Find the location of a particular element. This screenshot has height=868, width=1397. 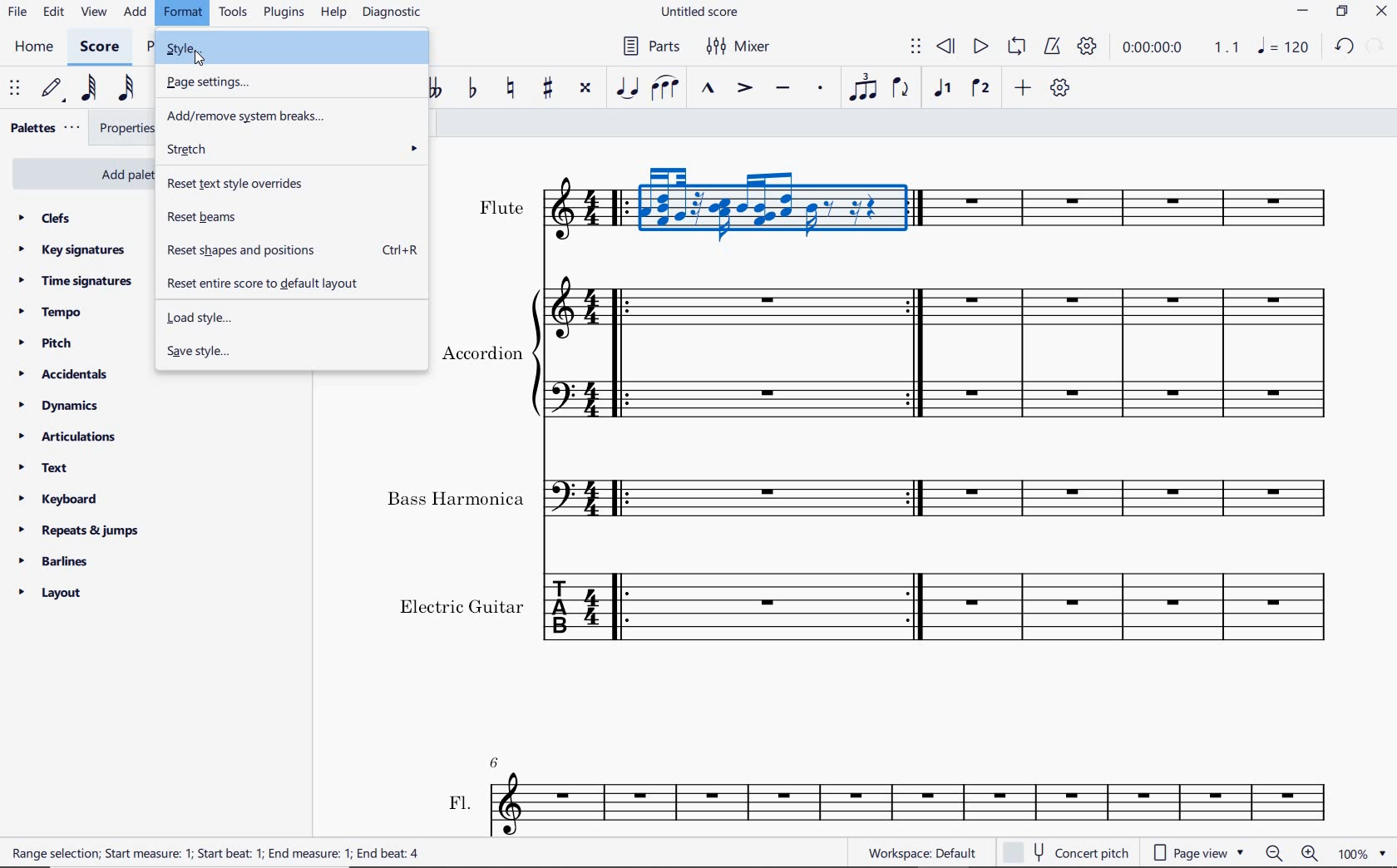

score is located at coordinates (98, 48).